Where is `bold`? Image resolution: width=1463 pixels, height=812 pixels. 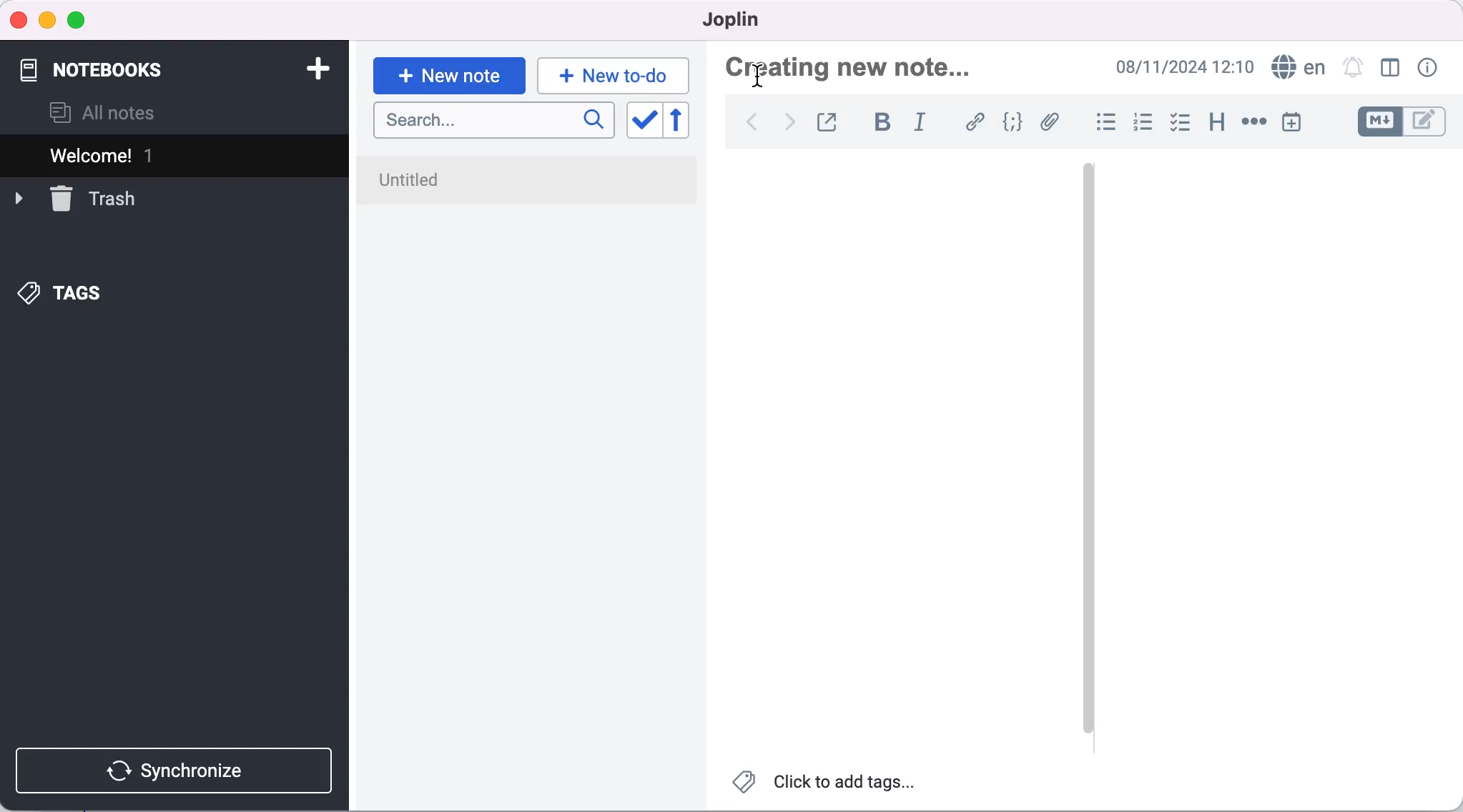 bold is located at coordinates (876, 124).